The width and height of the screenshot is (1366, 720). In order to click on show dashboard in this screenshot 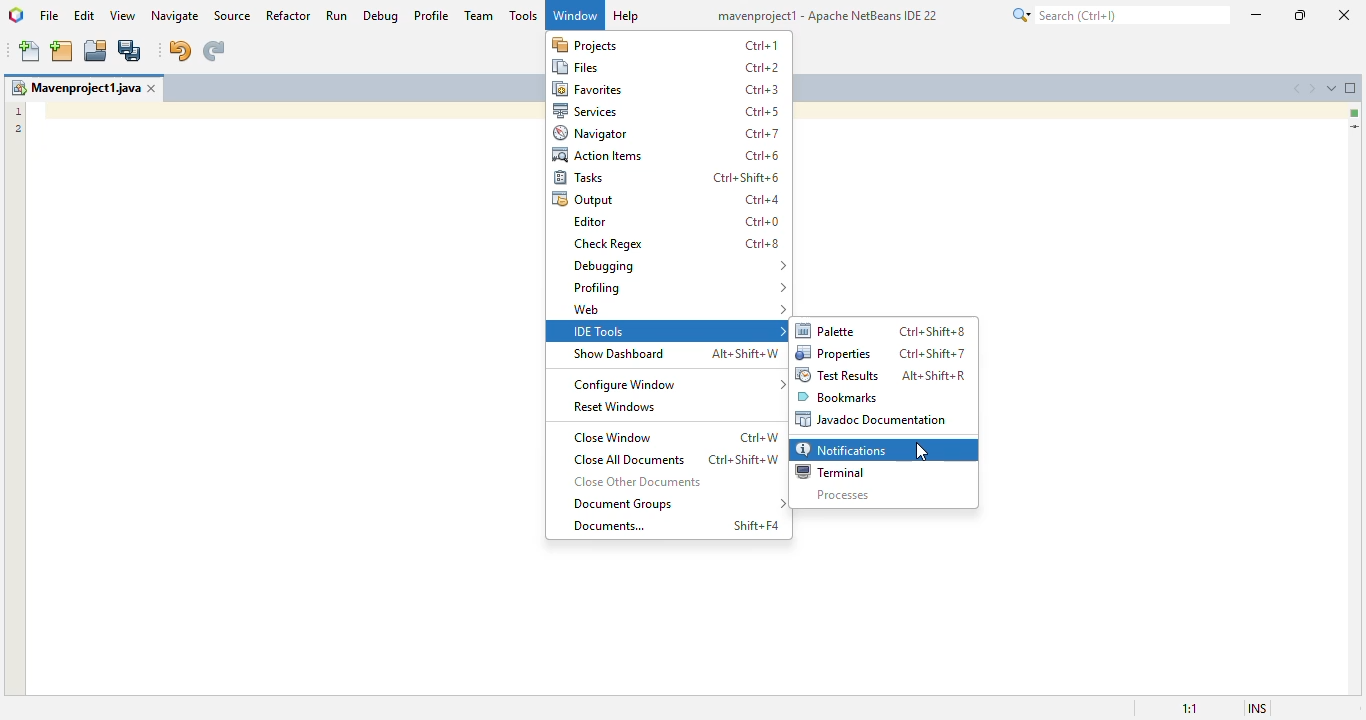, I will do `click(620, 354)`.